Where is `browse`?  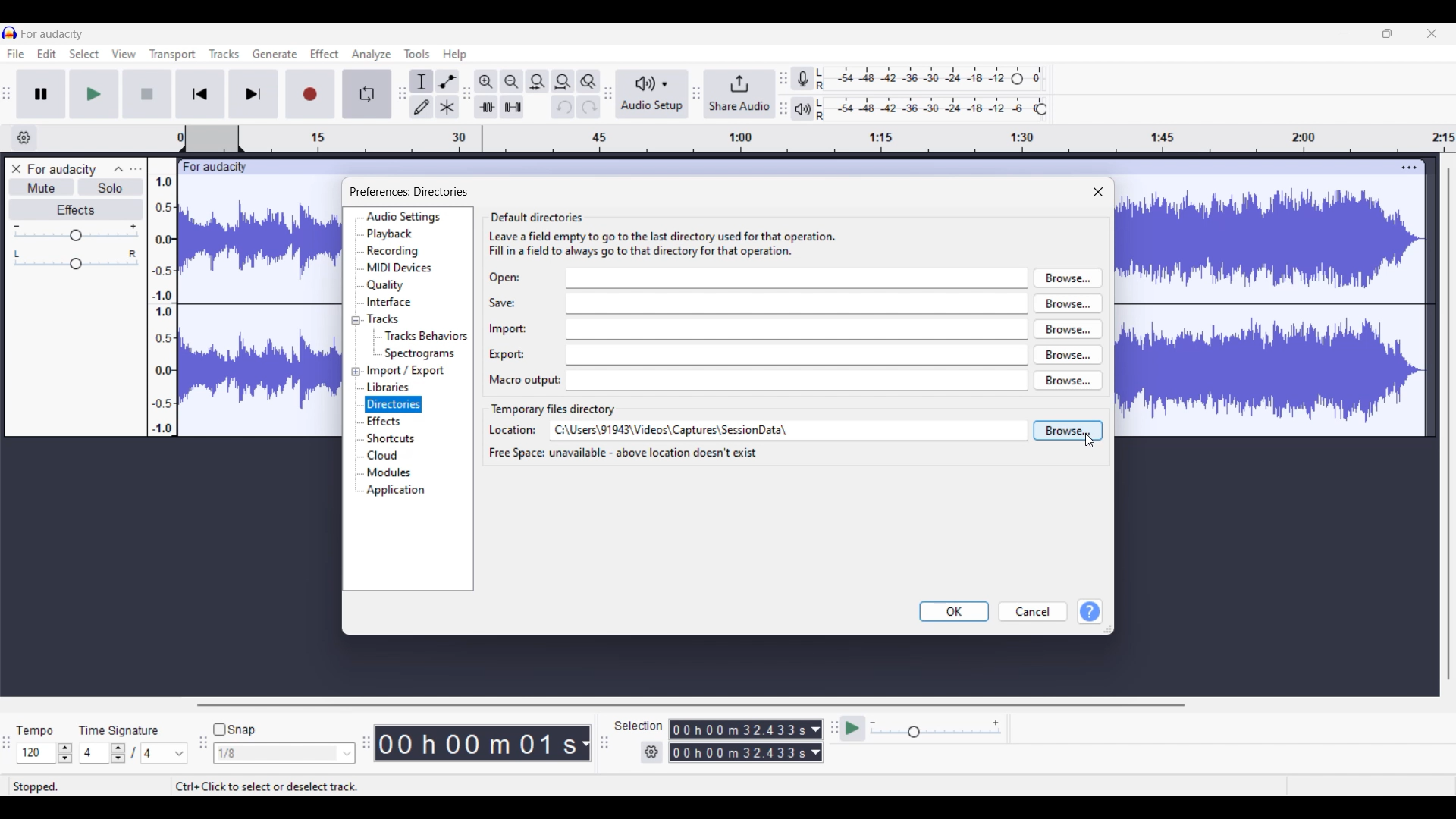 browse is located at coordinates (1068, 354).